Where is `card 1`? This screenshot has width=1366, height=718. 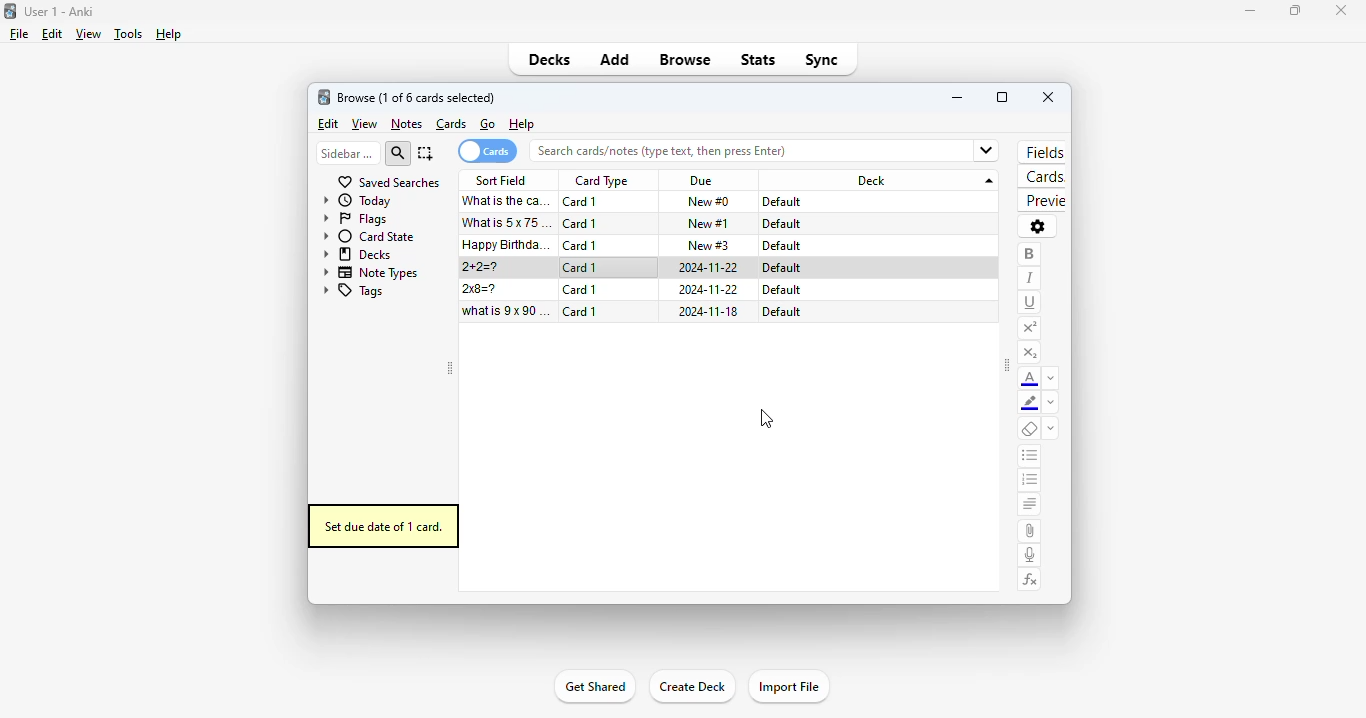 card 1 is located at coordinates (581, 202).